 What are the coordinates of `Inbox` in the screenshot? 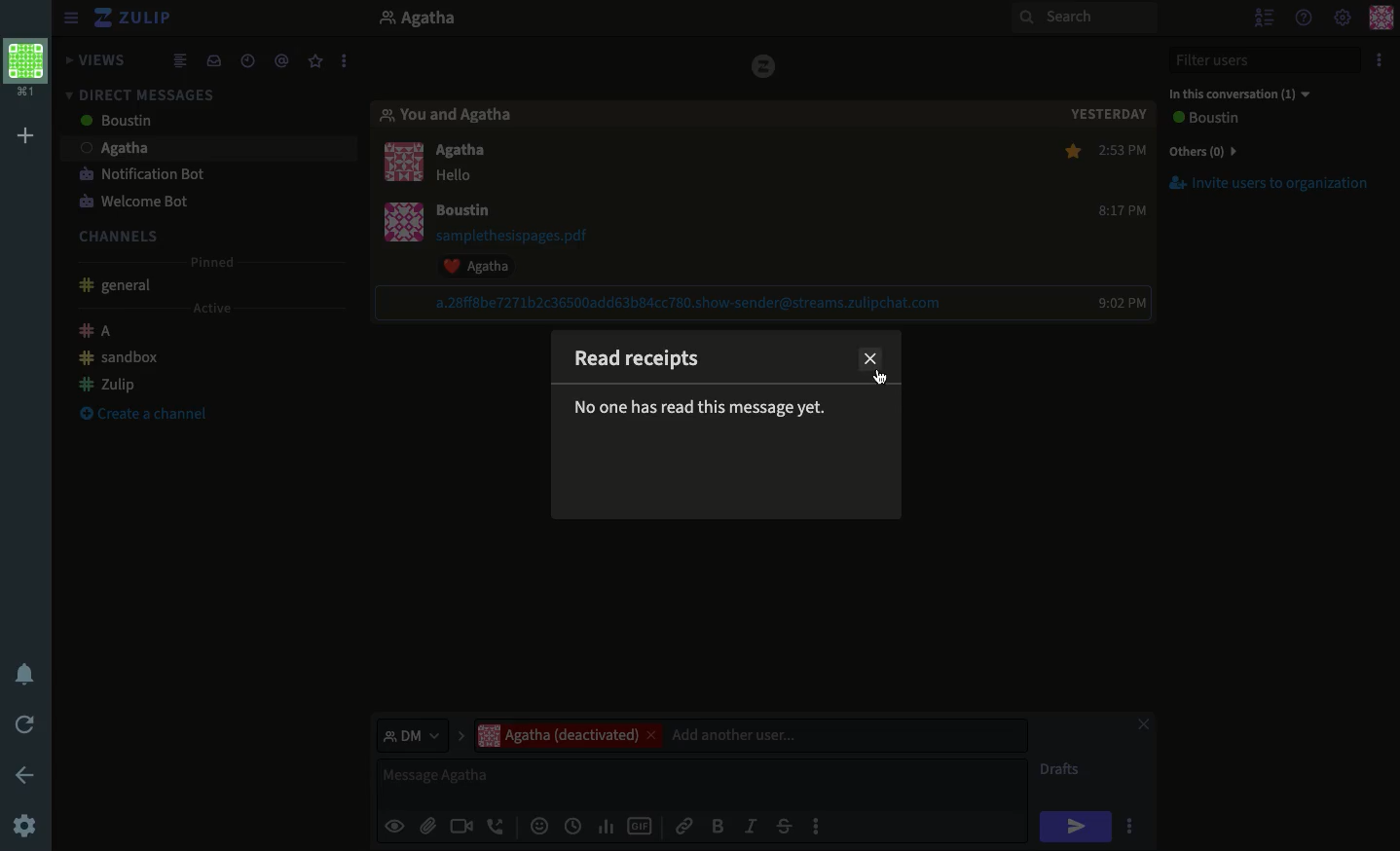 It's located at (213, 59).